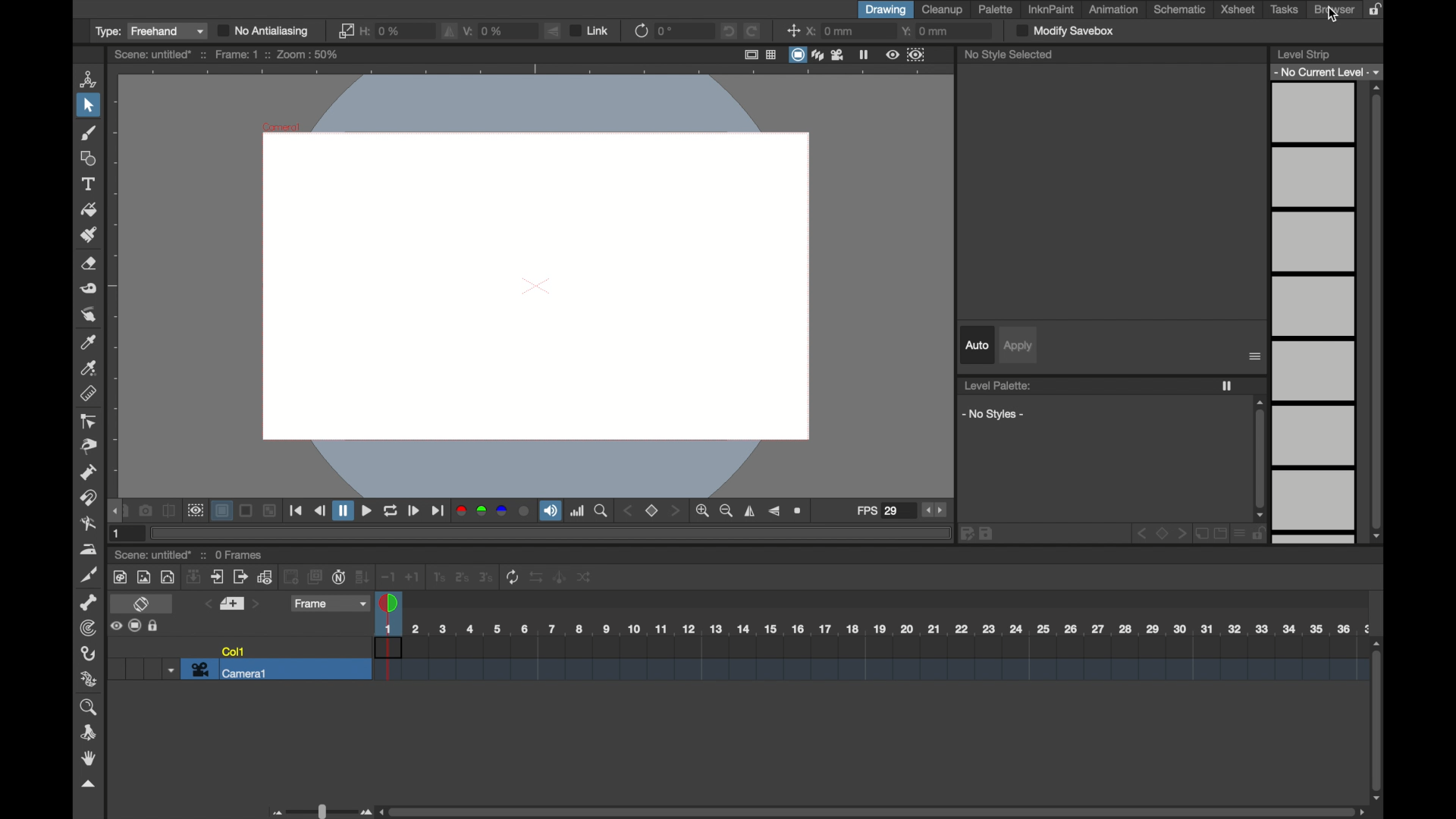 Image resolution: width=1456 pixels, height=819 pixels. I want to click on animate tool, so click(88, 78).